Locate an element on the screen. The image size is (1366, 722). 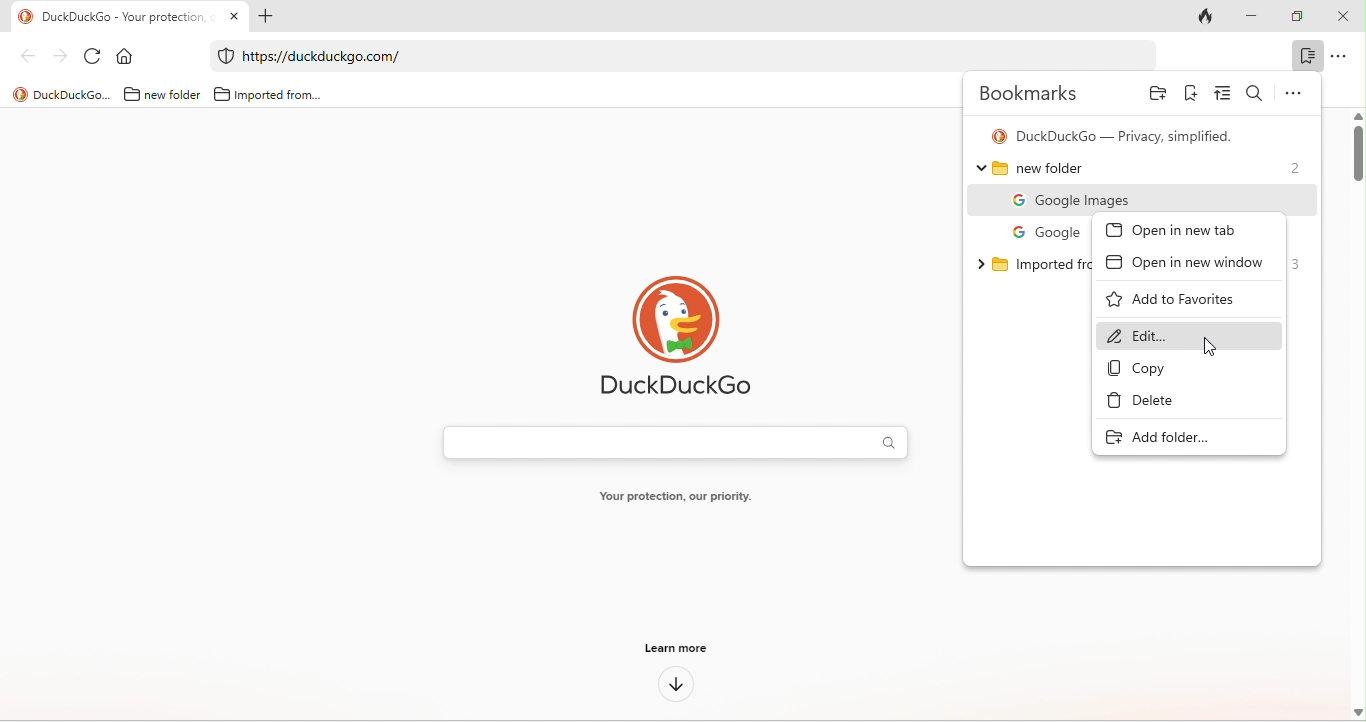
cursor is located at coordinates (1295, 210).